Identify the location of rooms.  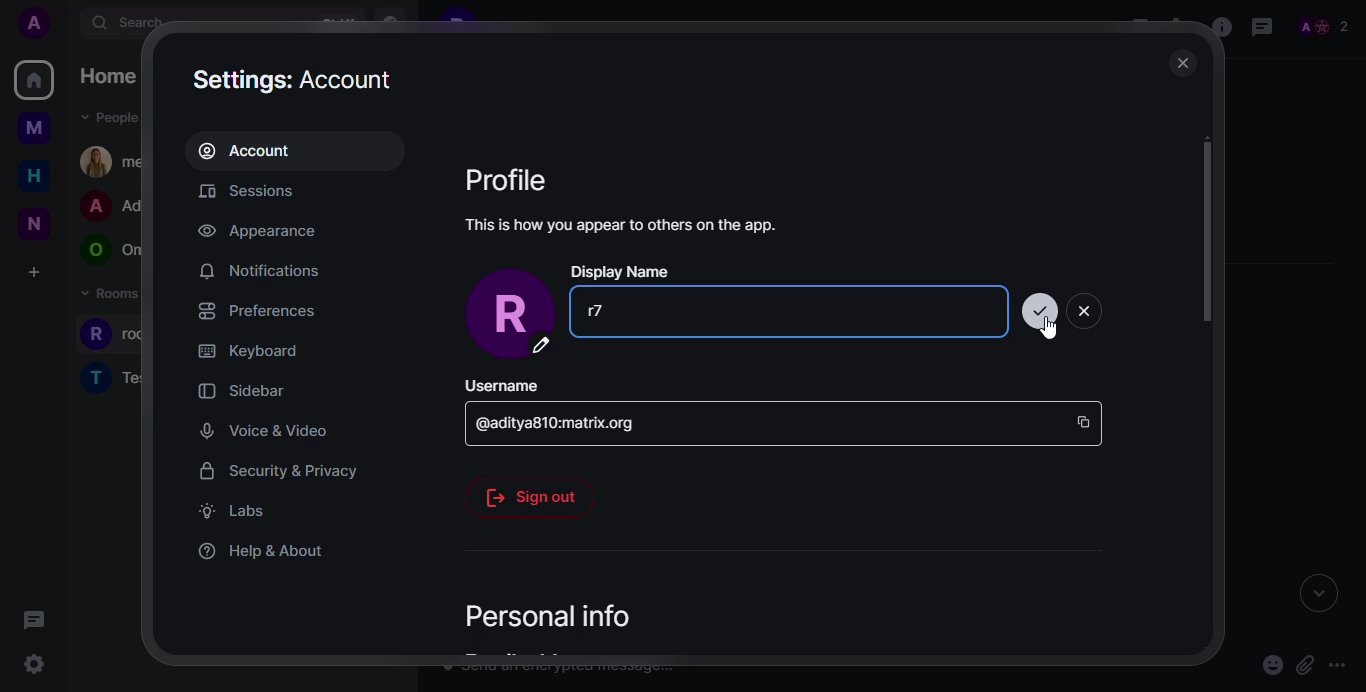
(109, 299).